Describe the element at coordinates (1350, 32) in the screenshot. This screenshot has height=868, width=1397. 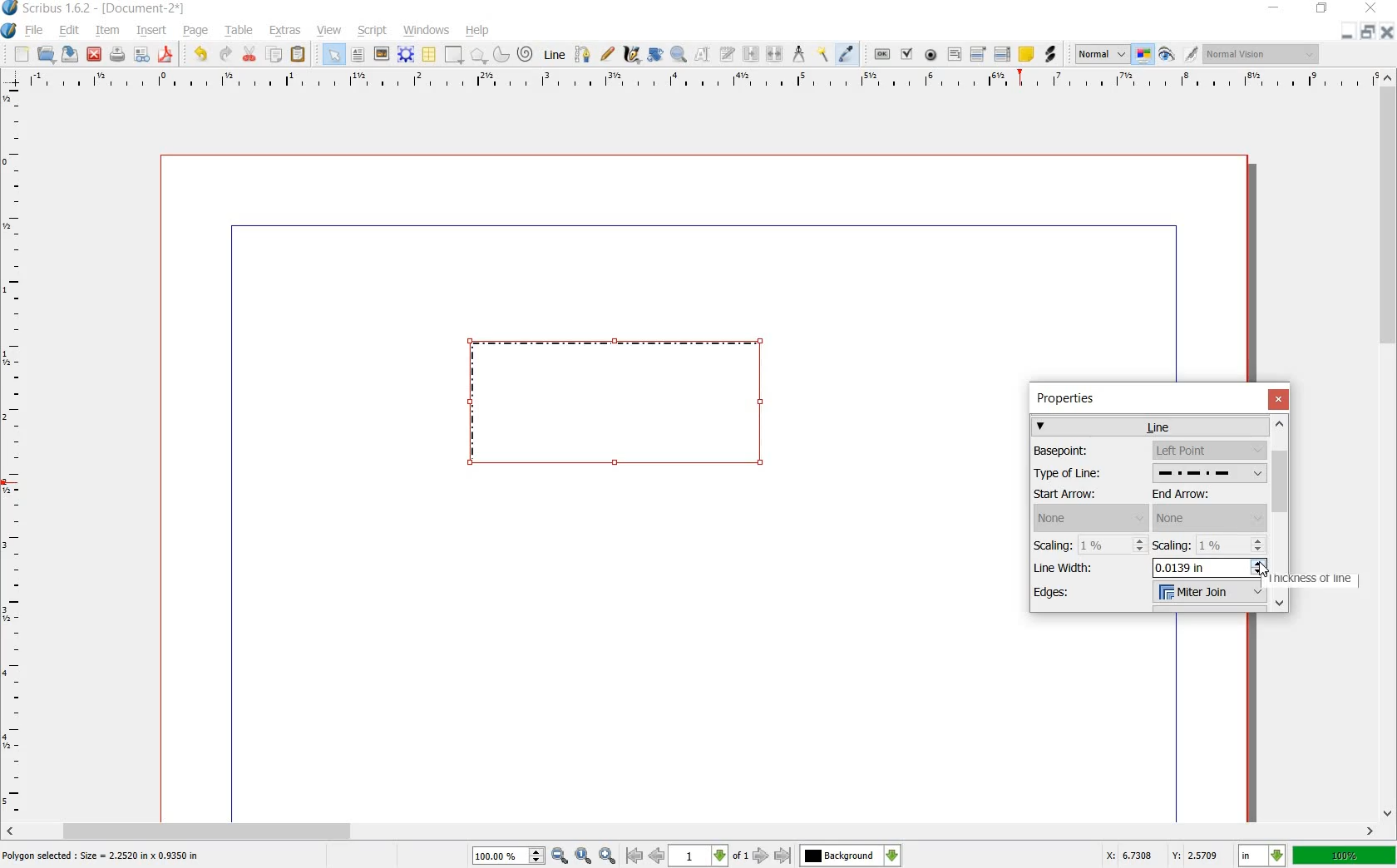
I see `MINIMIZE` at that location.